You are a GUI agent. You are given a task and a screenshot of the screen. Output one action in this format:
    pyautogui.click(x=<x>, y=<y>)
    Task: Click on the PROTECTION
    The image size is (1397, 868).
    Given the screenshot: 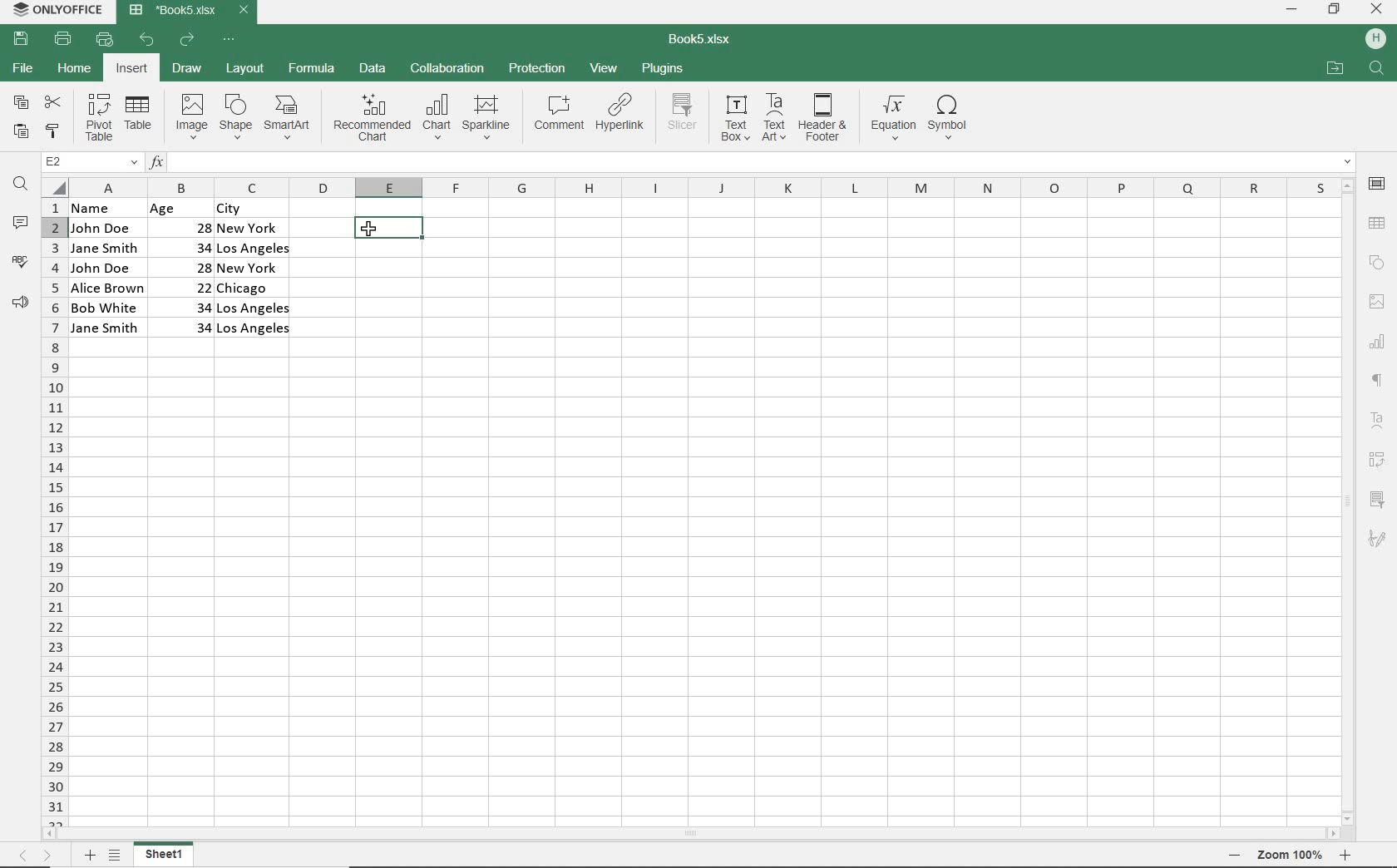 What is the action you would take?
    pyautogui.click(x=538, y=69)
    